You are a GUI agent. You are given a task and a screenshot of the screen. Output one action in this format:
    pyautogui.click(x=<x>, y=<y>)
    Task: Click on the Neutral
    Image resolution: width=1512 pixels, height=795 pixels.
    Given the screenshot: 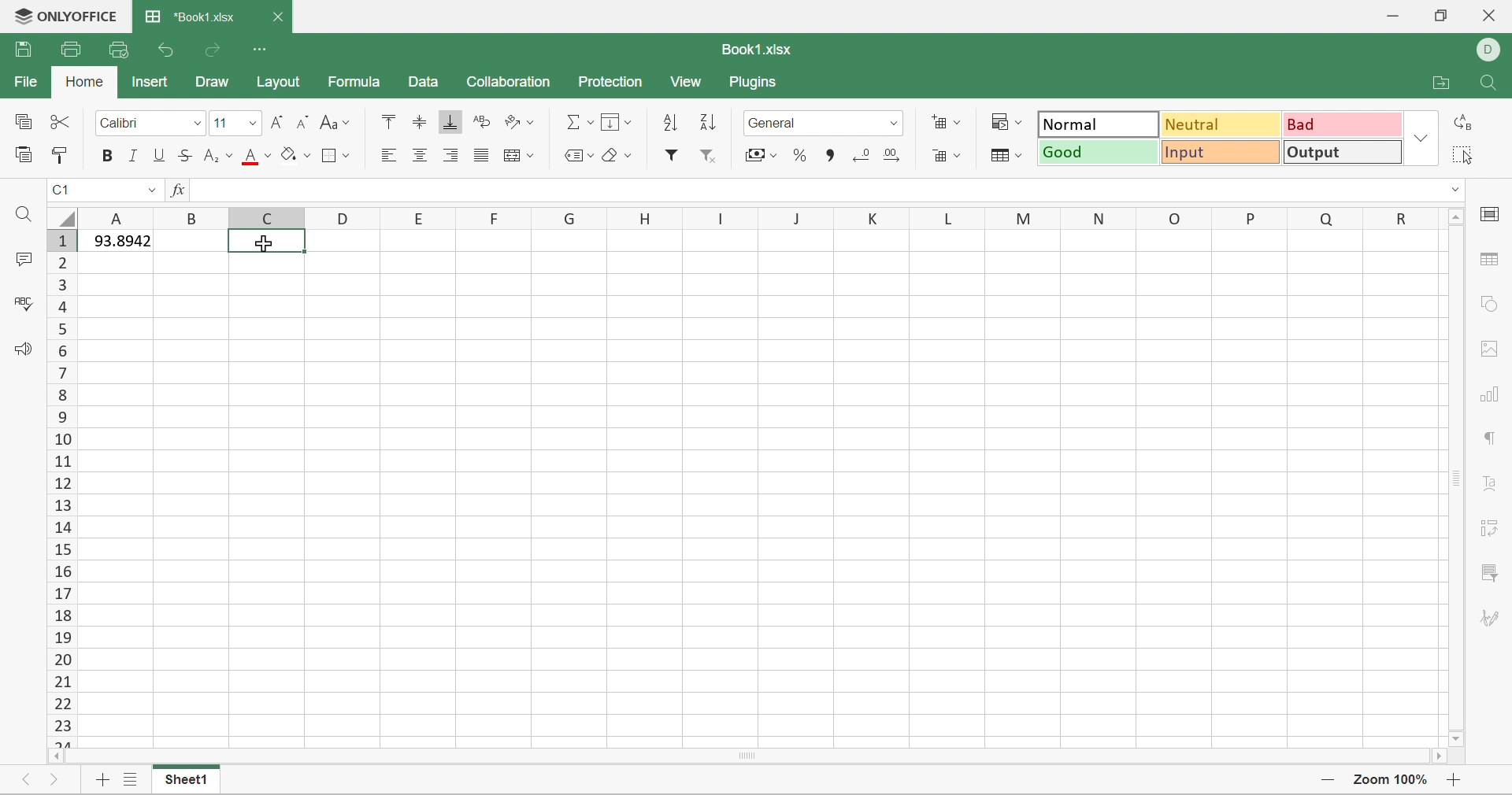 What is the action you would take?
    pyautogui.click(x=1224, y=124)
    